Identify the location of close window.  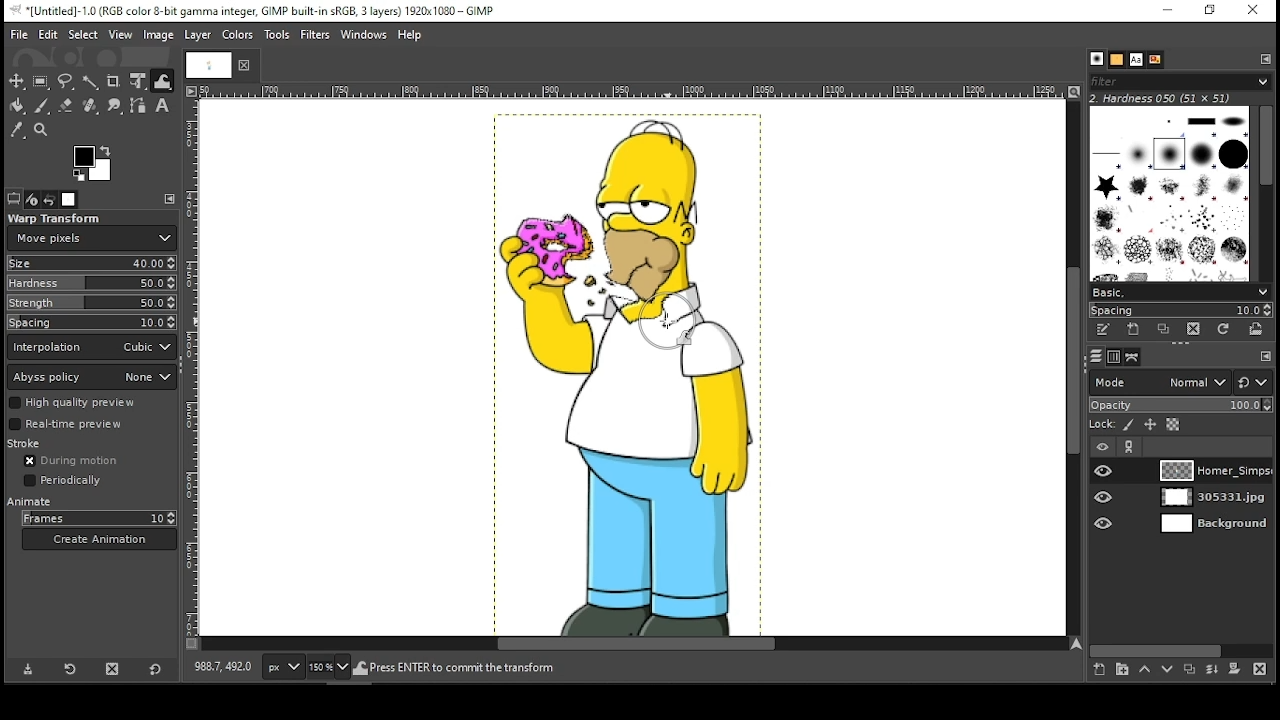
(1257, 10).